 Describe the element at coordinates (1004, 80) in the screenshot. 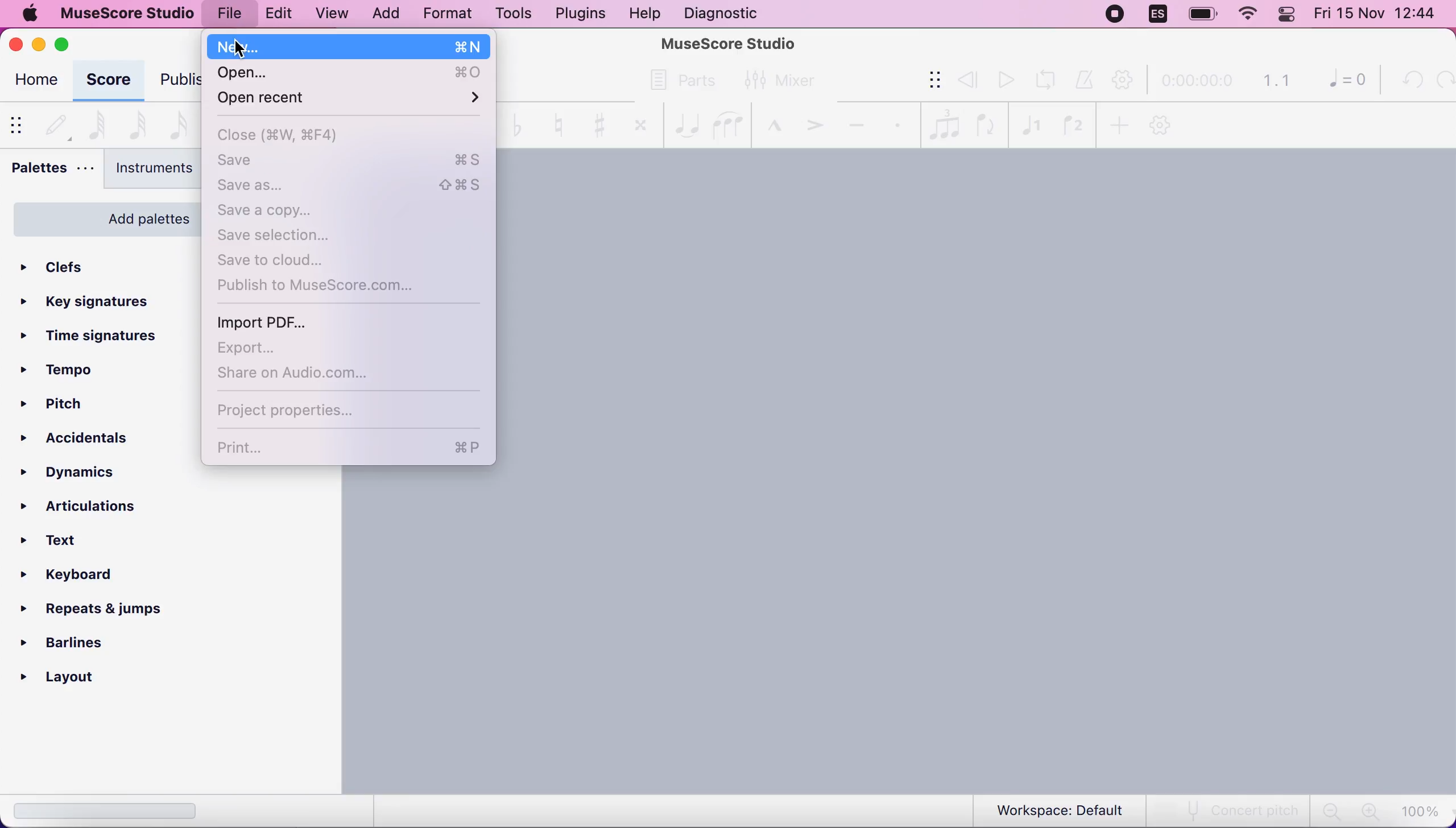

I see `play` at that location.